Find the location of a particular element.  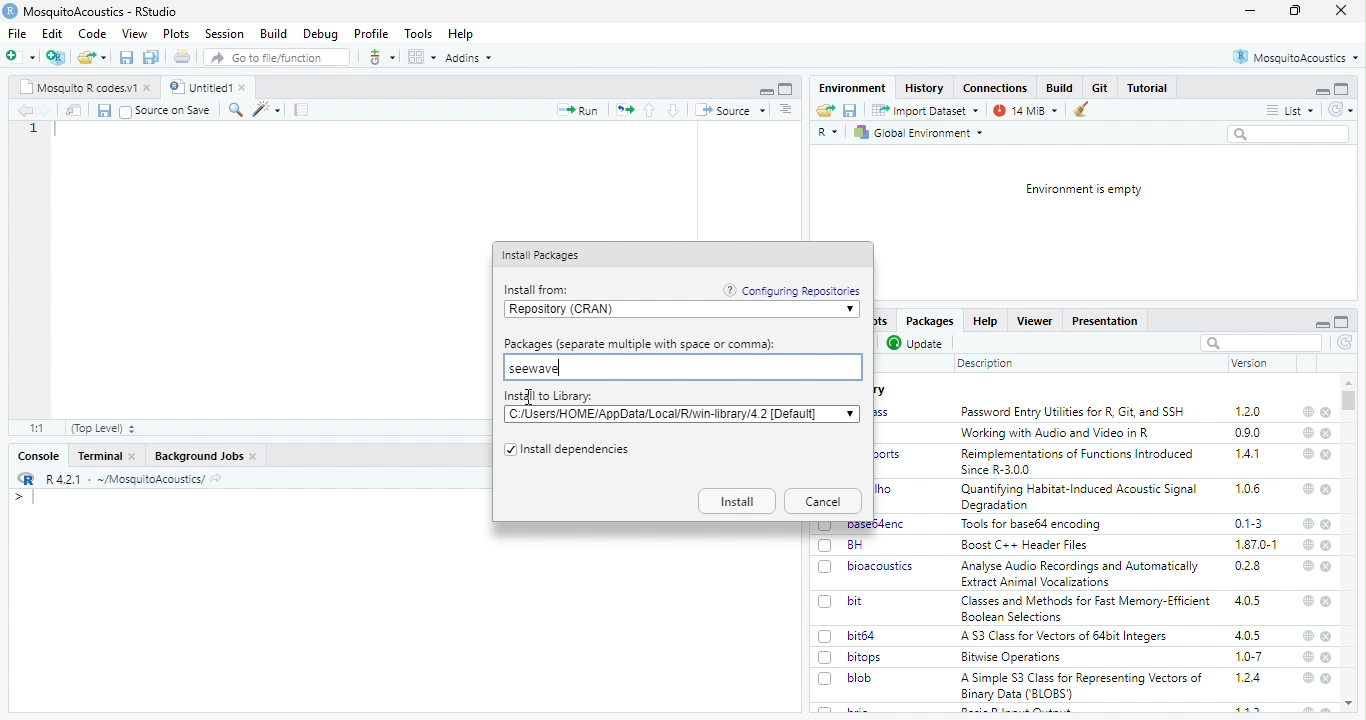

find is located at coordinates (237, 110).